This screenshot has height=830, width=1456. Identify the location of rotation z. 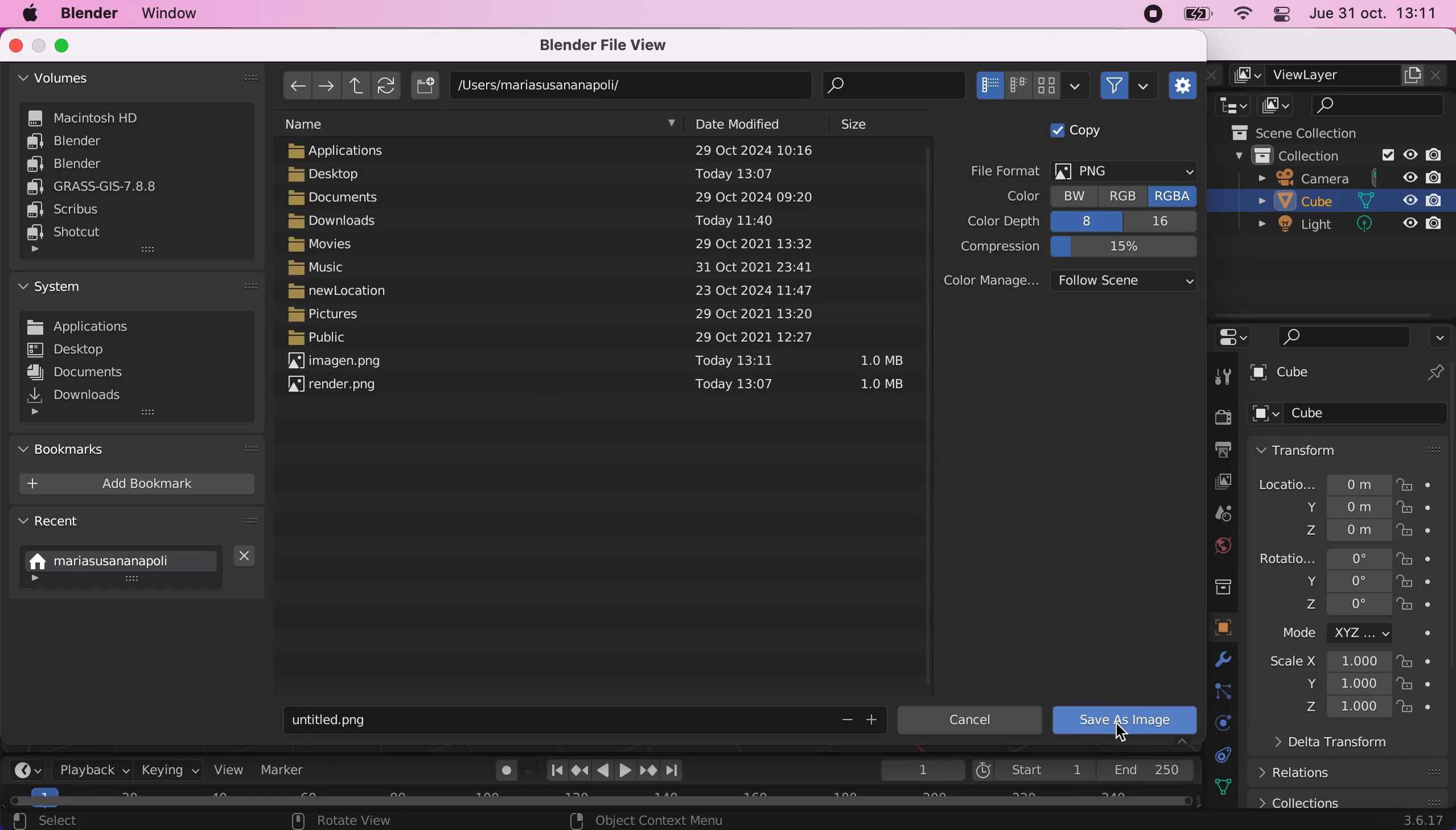
(1319, 609).